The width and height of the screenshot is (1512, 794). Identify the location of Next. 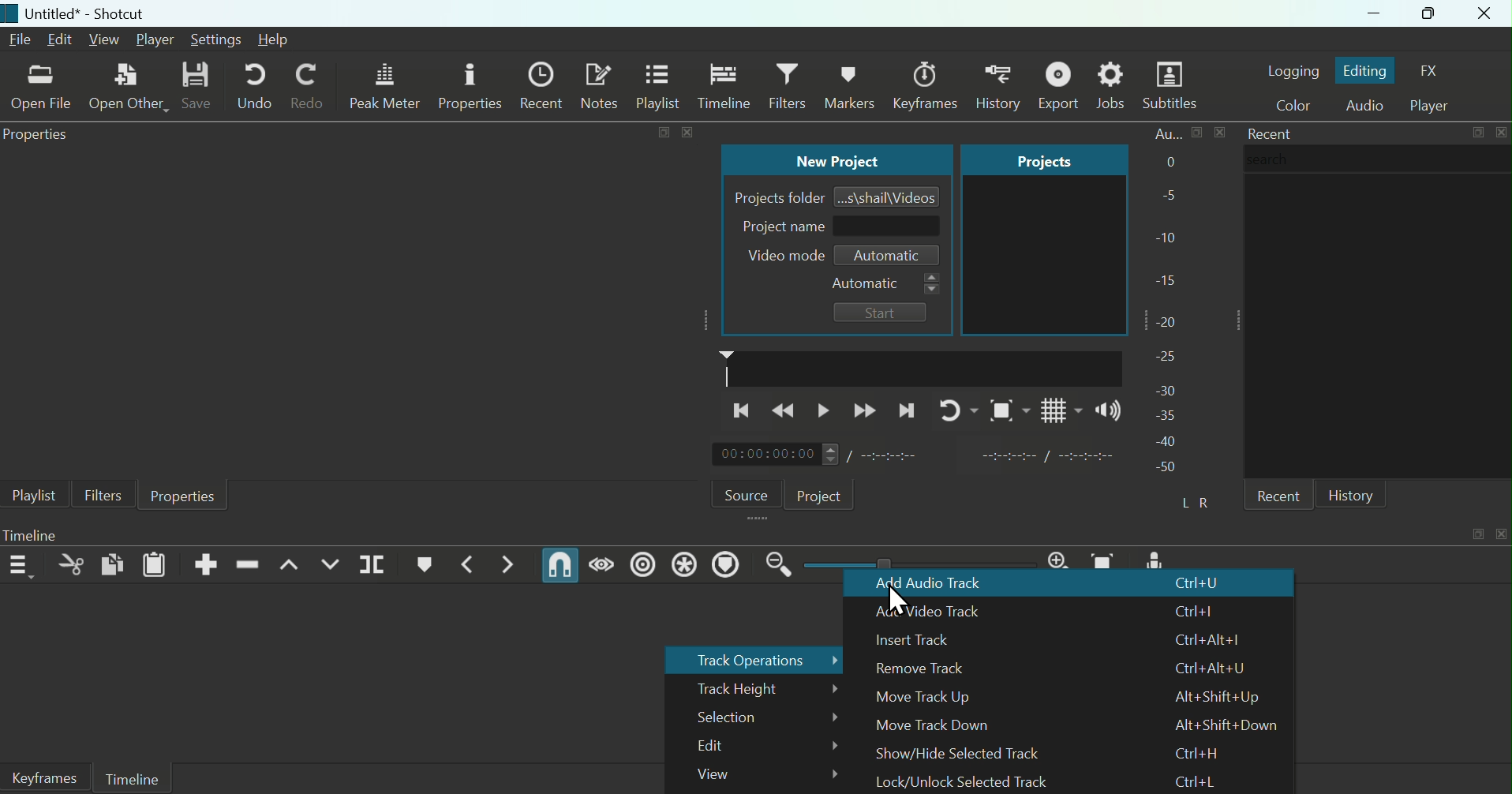
(908, 408).